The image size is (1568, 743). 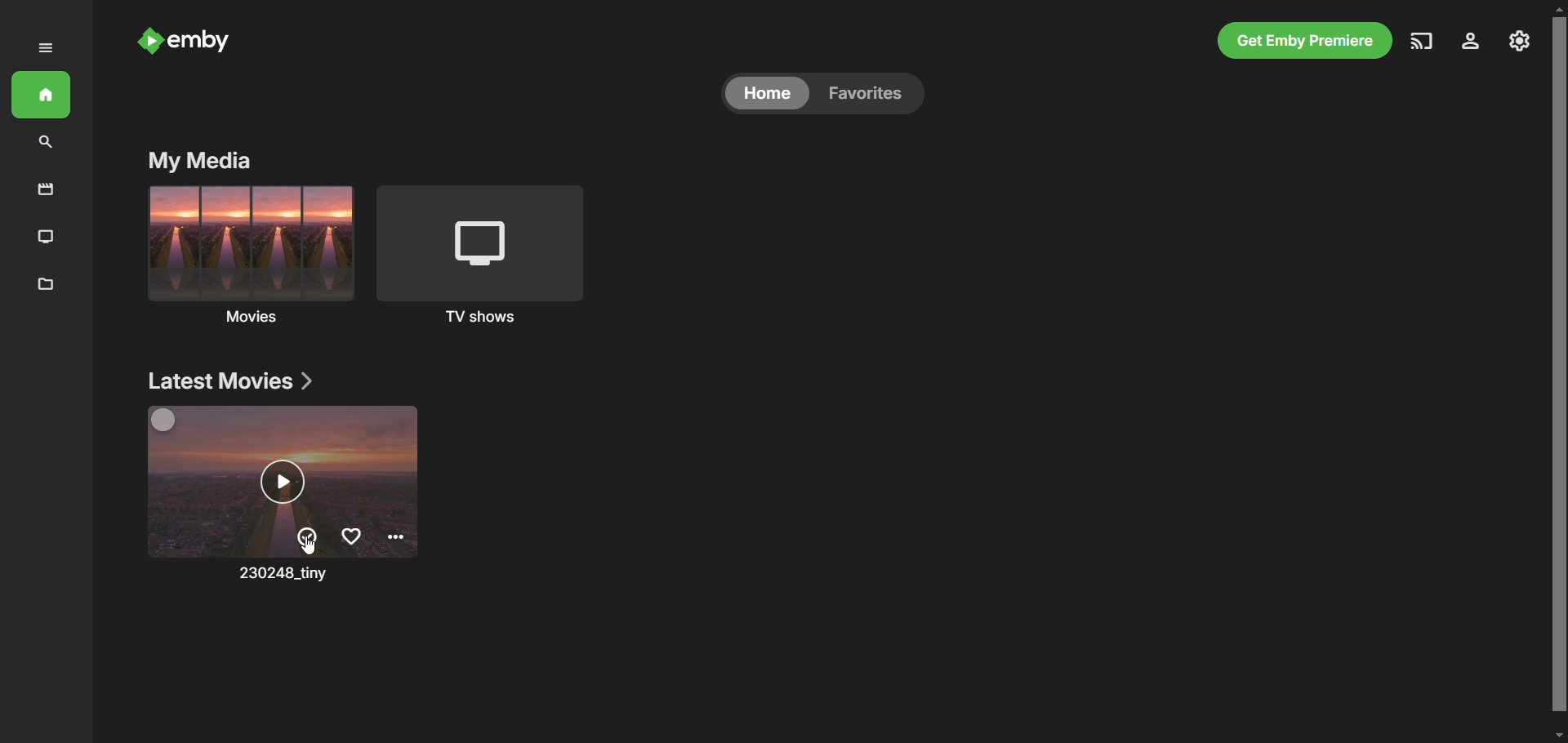 What do you see at coordinates (42, 96) in the screenshot?
I see `home` at bounding box center [42, 96].